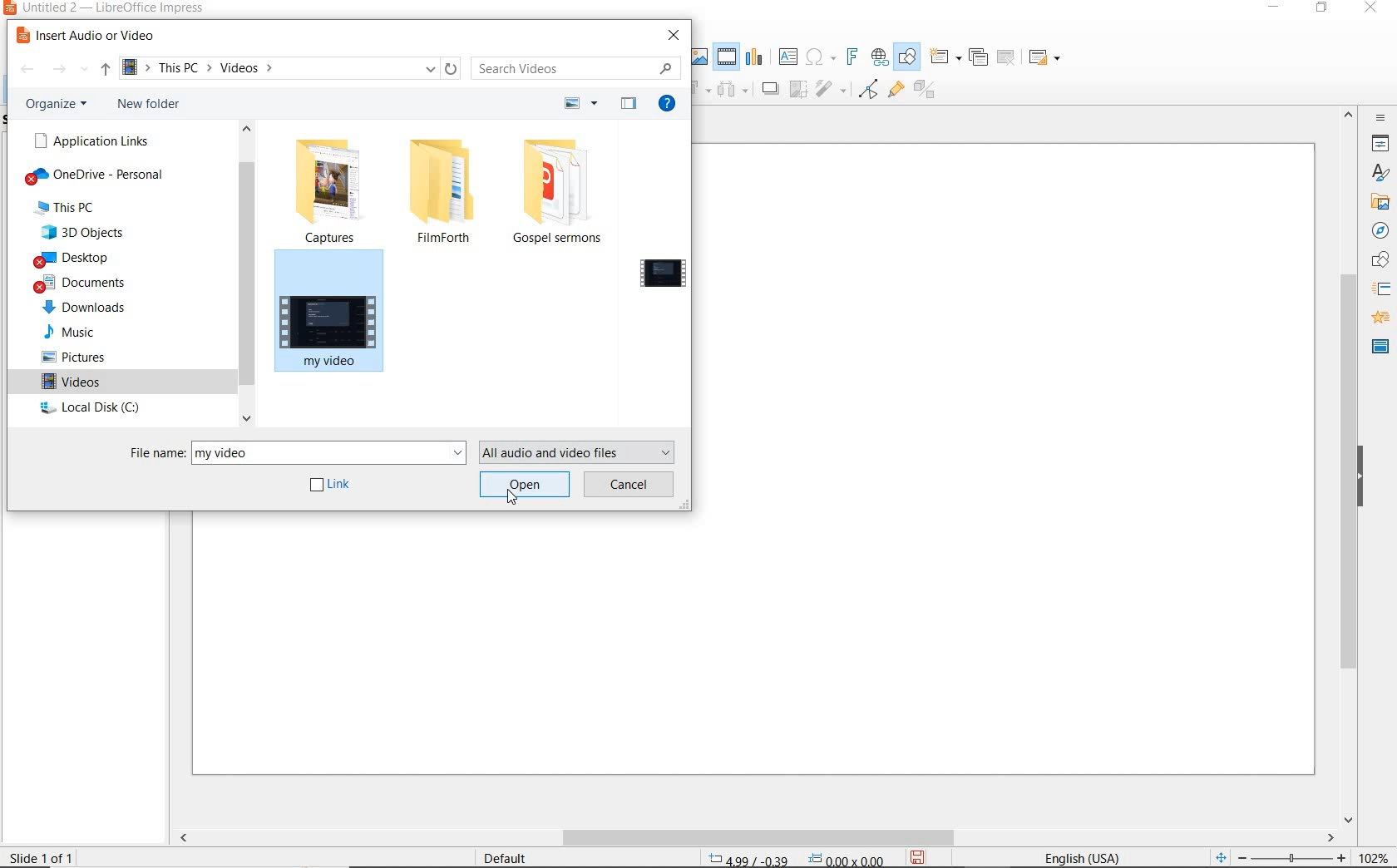  Describe the element at coordinates (945, 56) in the screenshot. I see `NEW SLIDE` at that location.